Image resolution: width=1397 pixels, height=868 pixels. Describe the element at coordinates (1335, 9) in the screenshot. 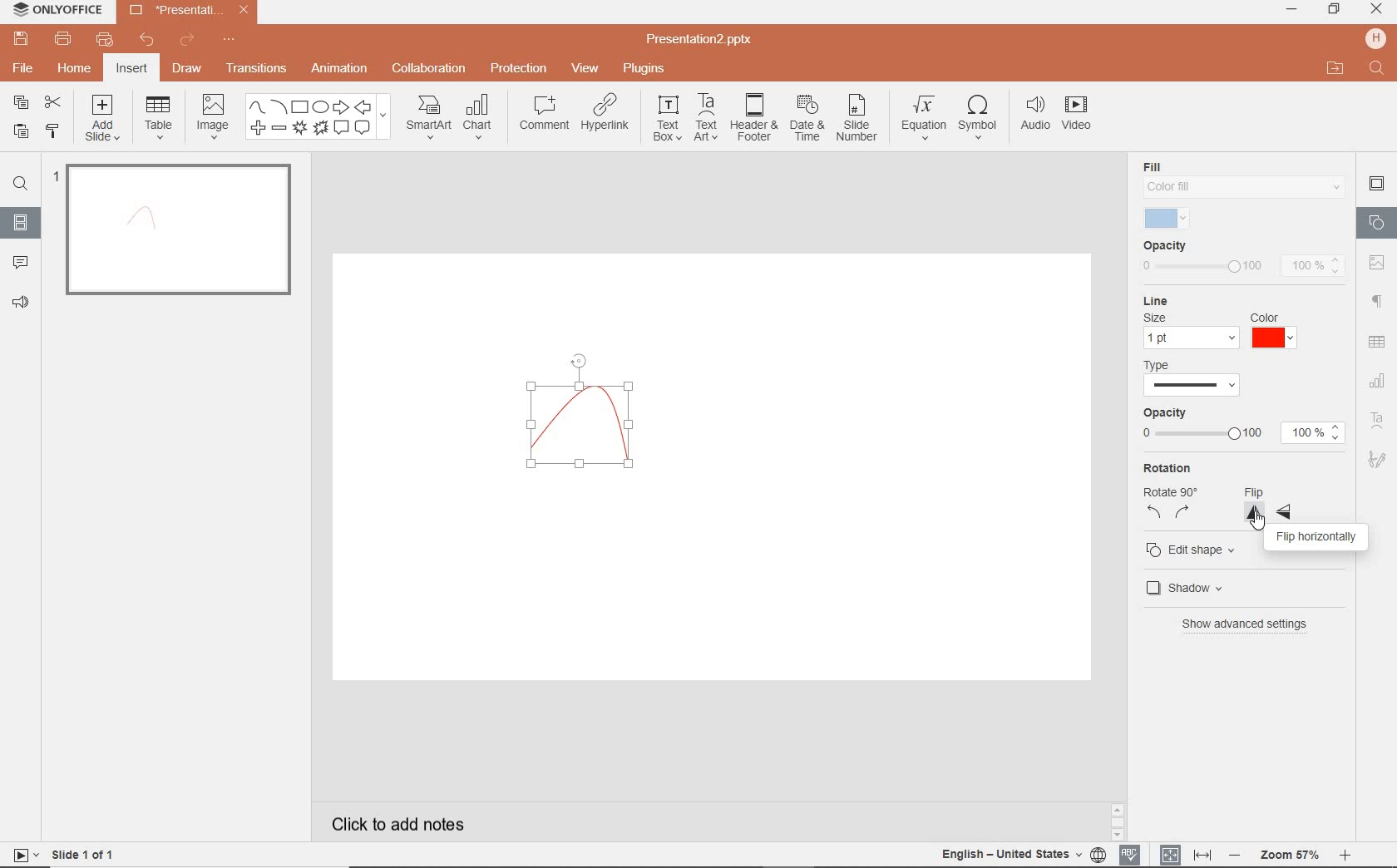

I see `RESTORE` at that location.